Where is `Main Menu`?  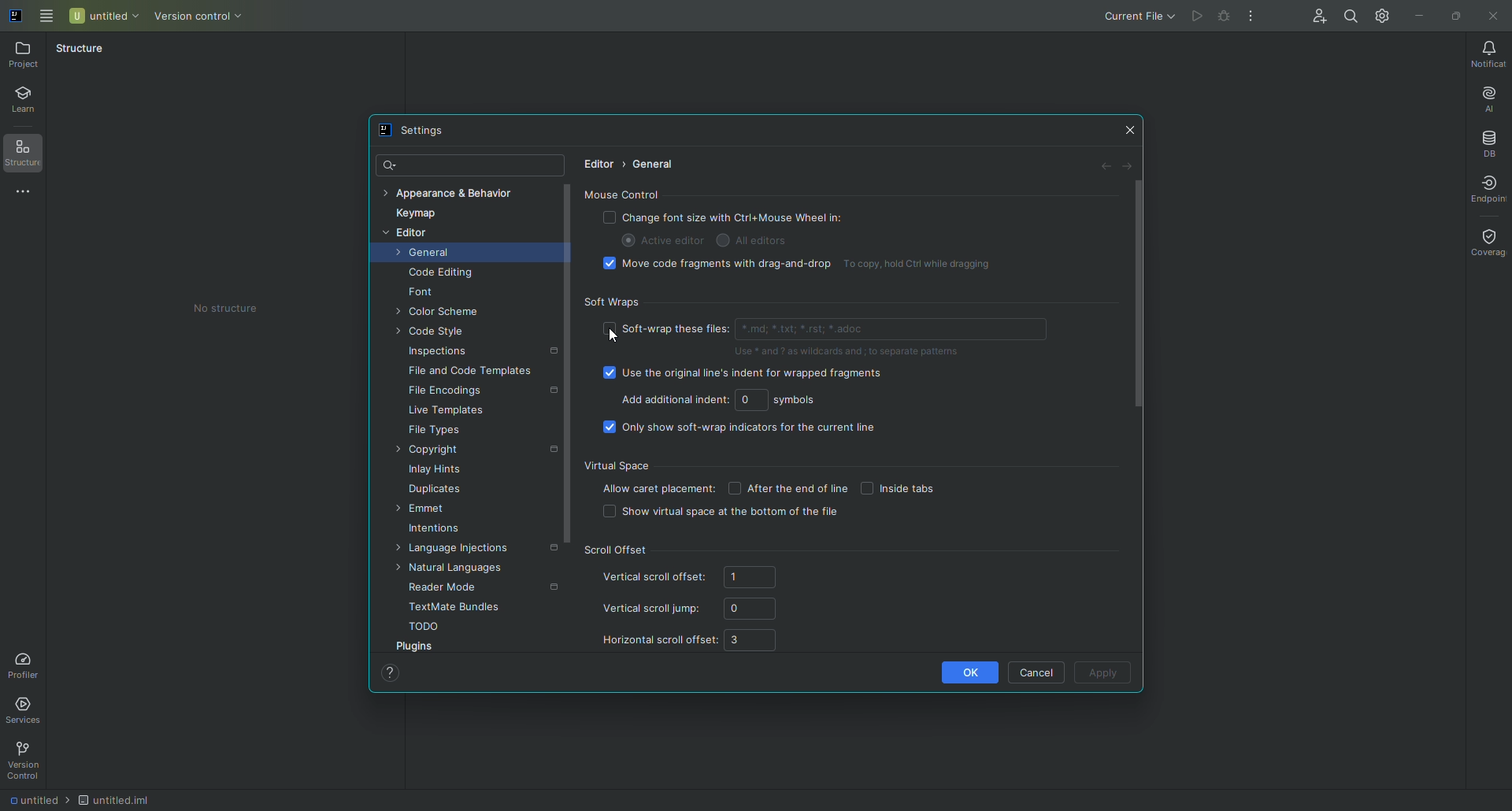 Main Menu is located at coordinates (48, 18).